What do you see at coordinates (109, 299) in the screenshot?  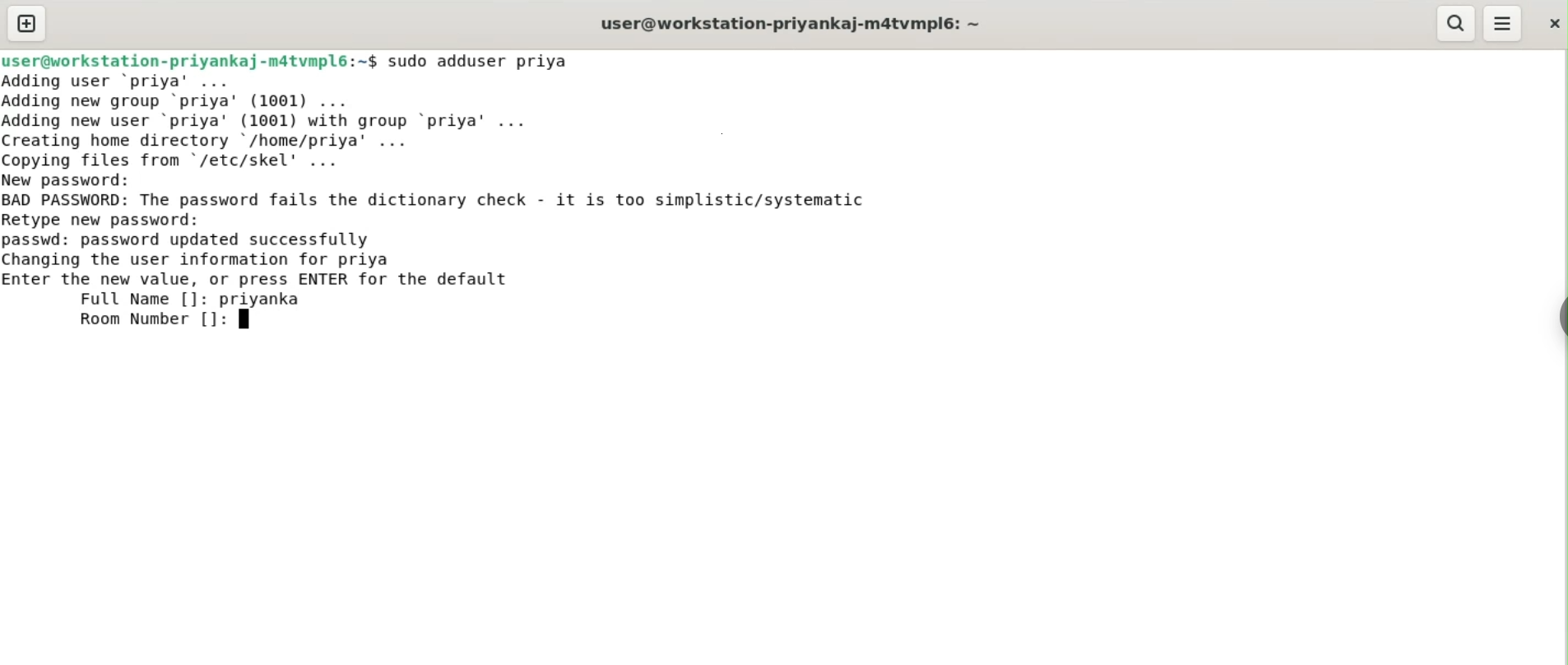 I see `full name [] :` at bounding box center [109, 299].